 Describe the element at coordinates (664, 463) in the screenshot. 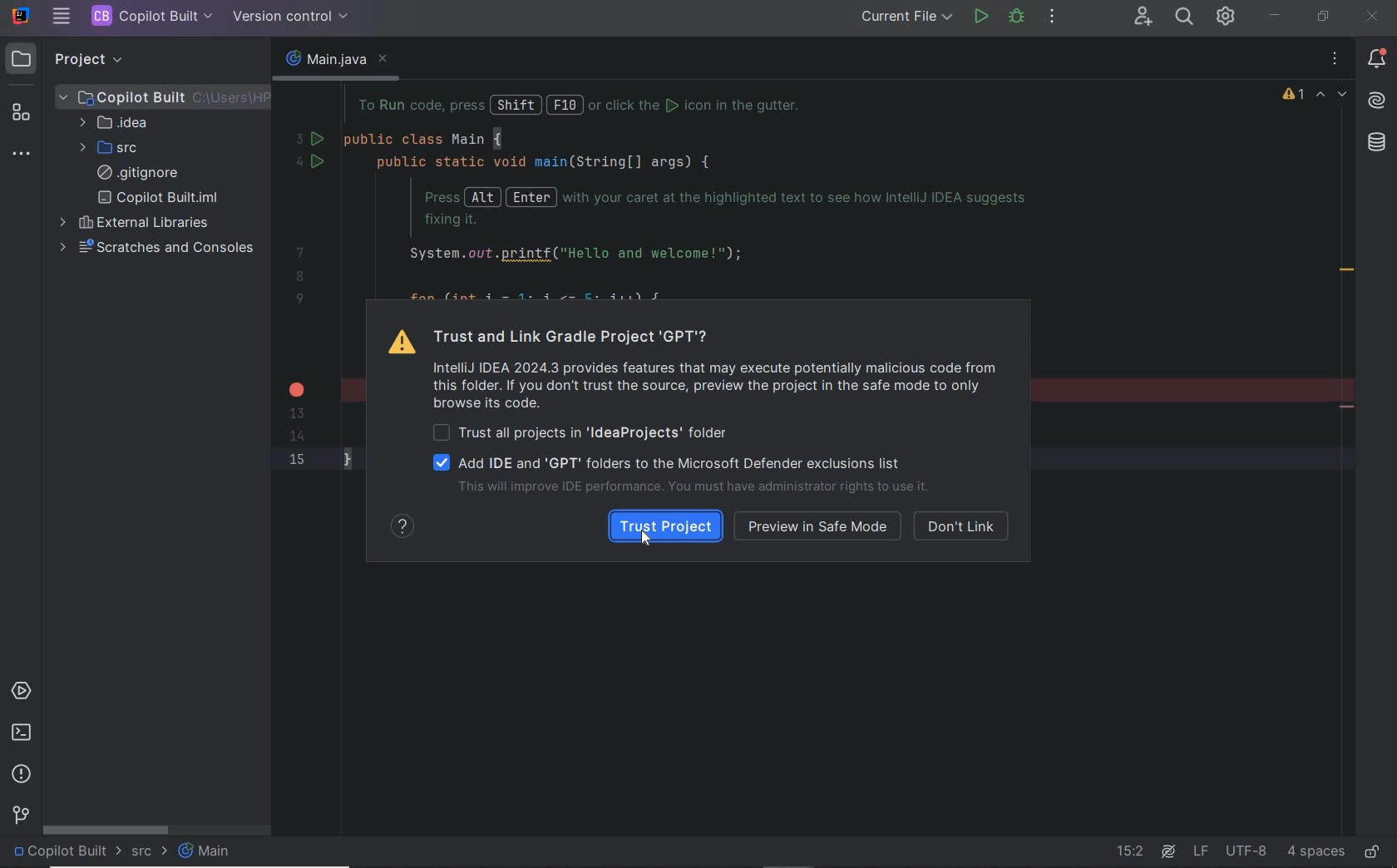

I see `add IDE and GPT folders to the Microsoft Defender exclsuions list` at that location.